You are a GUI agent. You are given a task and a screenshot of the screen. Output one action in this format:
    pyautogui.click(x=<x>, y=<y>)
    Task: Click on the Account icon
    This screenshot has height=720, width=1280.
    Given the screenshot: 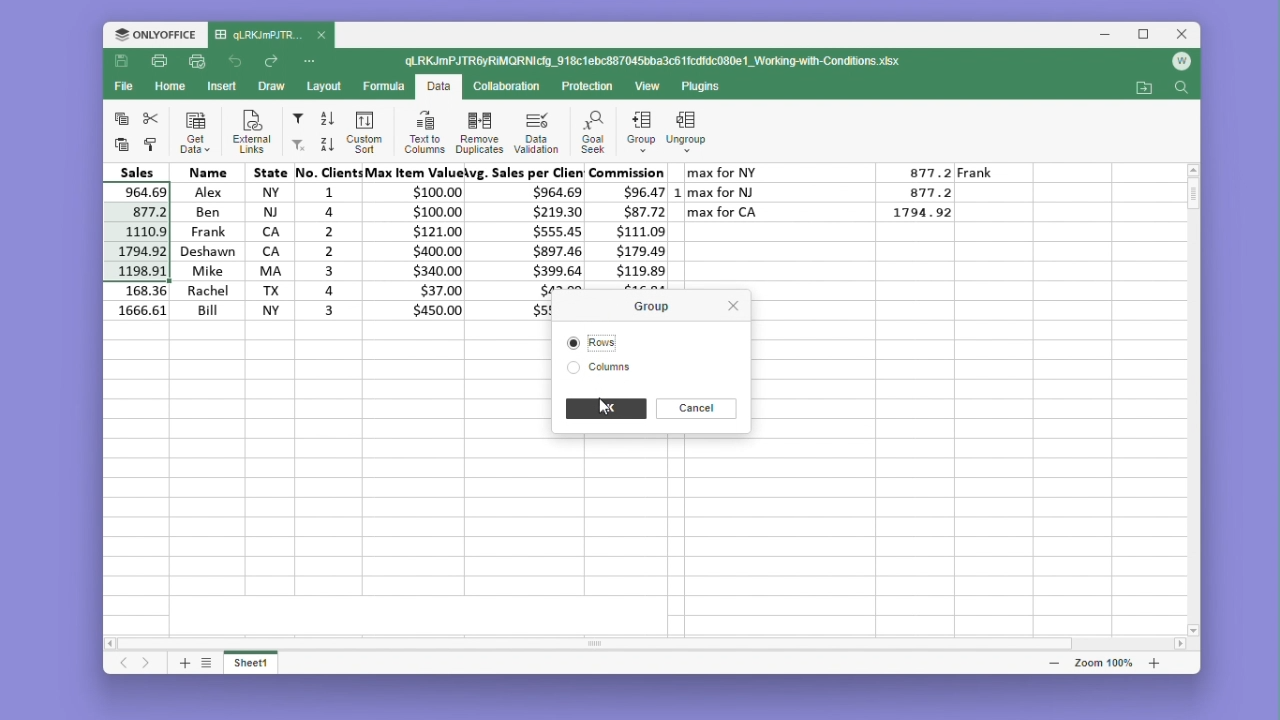 What is the action you would take?
    pyautogui.click(x=1181, y=62)
    